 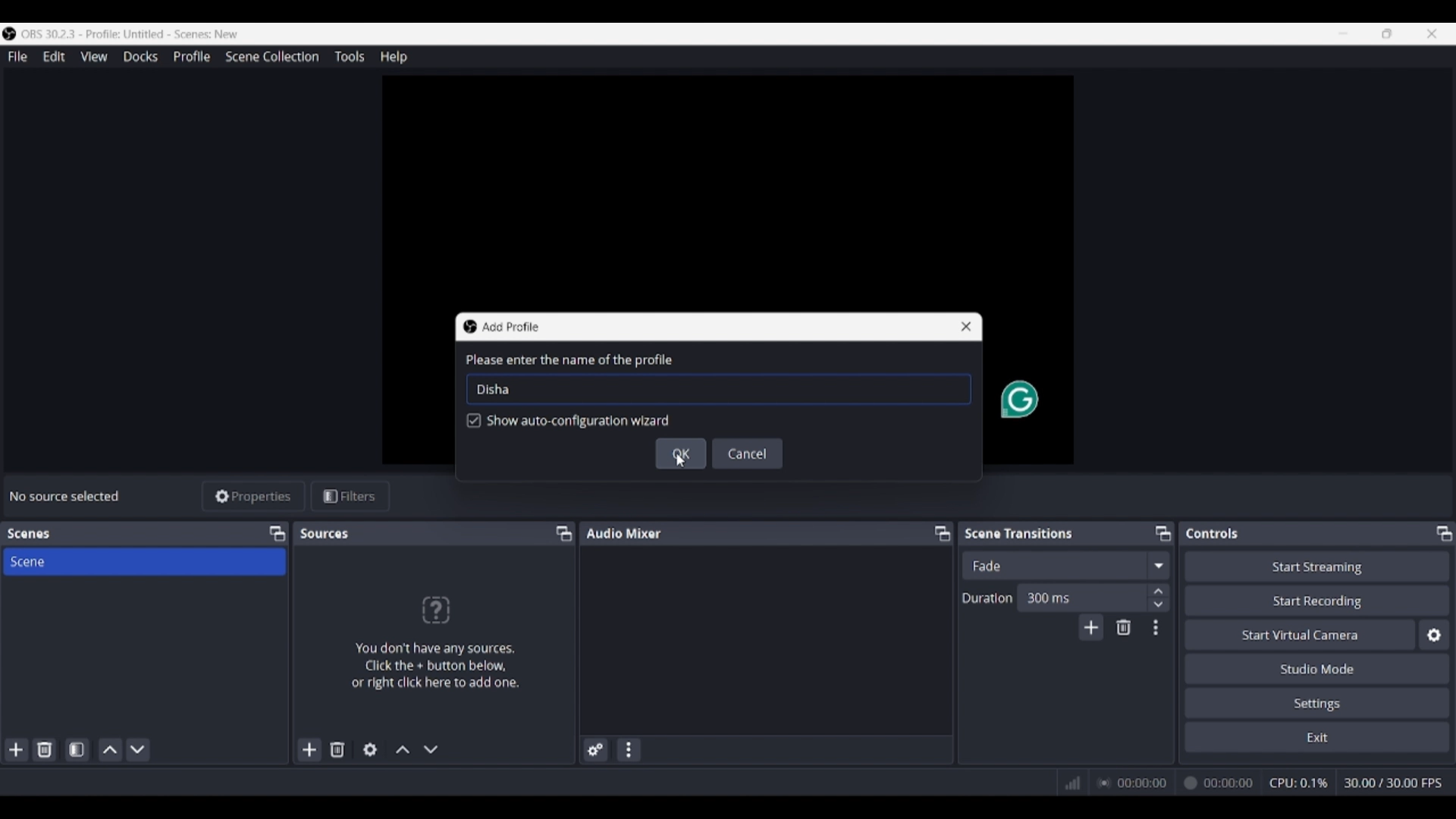 What do you see at coordinates (431, 749) in the screenshot?
I see `Move source down` at bounding box center [431, 749].